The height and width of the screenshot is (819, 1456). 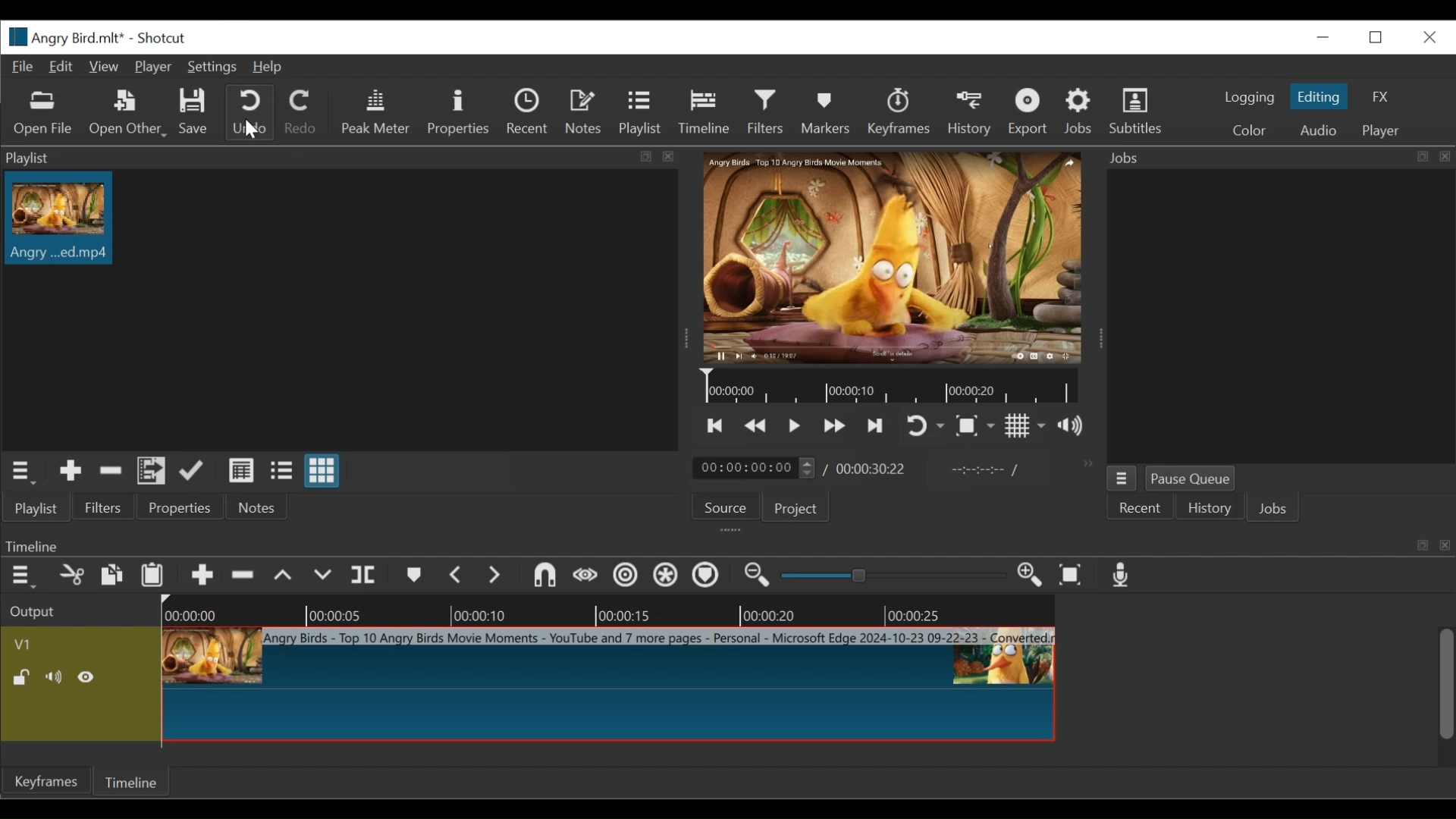 What do you see at coordinates (1318, 131) in the screenshot?
I see `Audio` at bounding box center [1318, 131].